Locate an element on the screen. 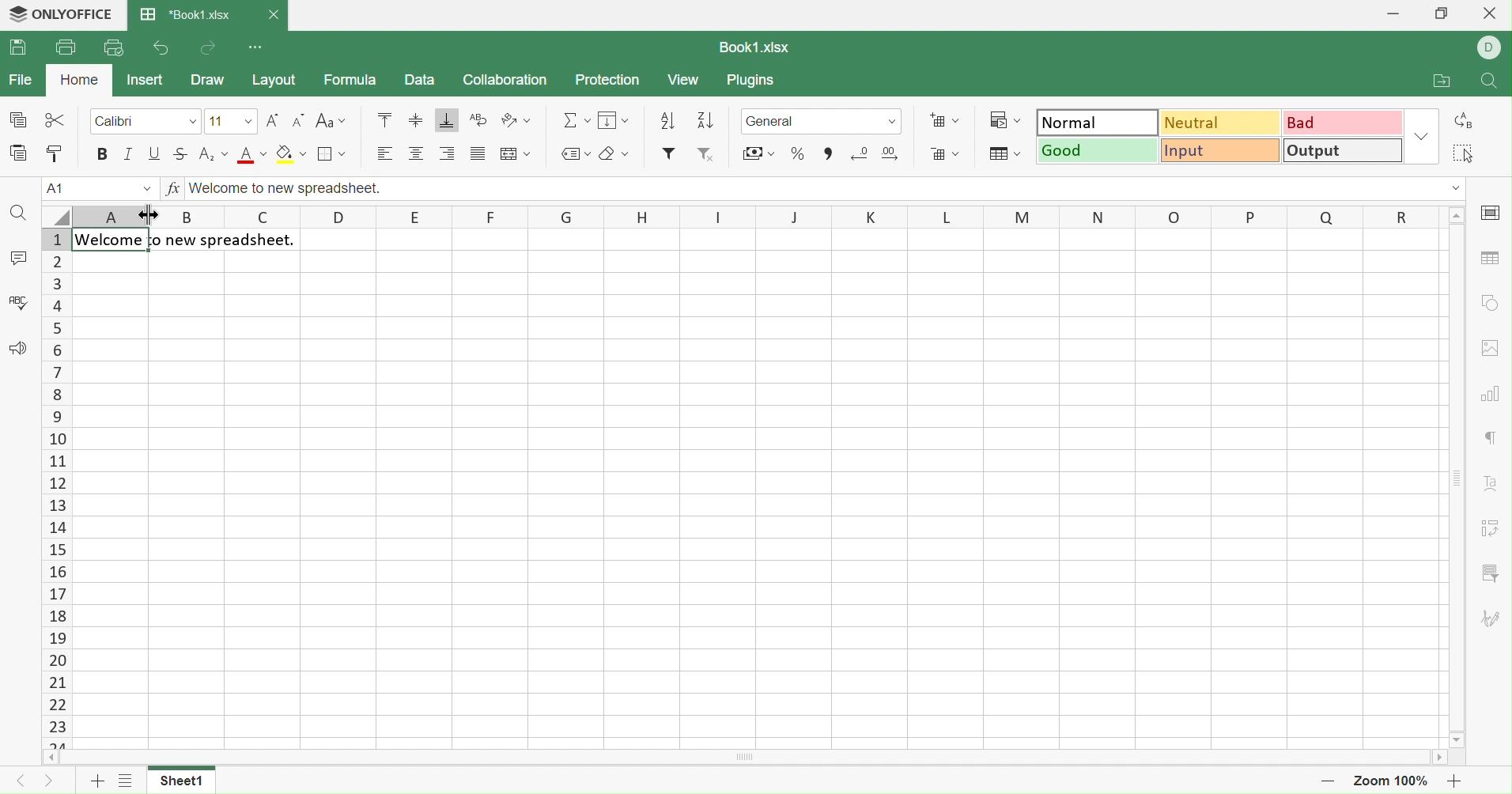  Align Right is located at coordinates (451, 153).